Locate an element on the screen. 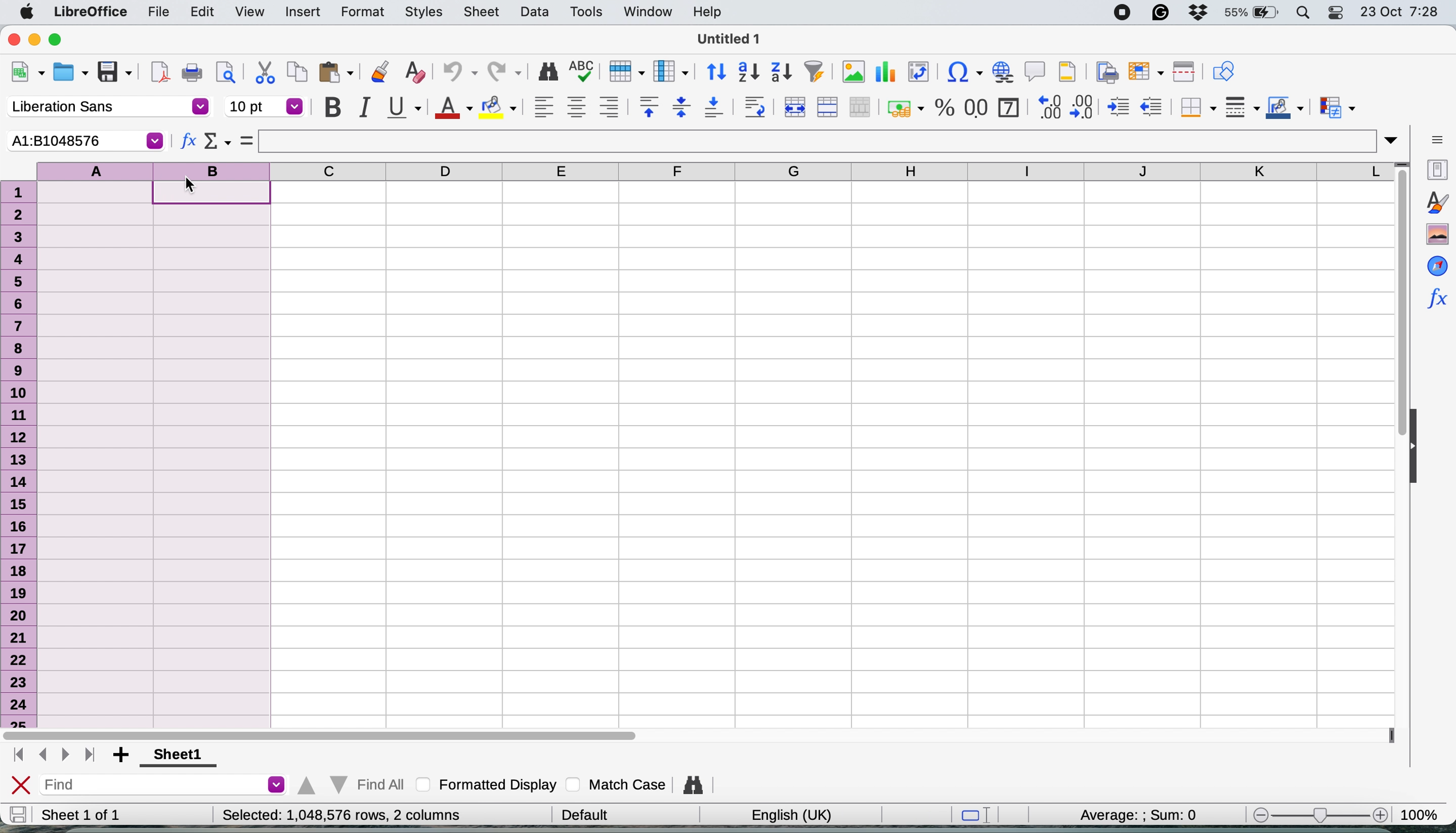 This screenshot has width=1456, height=833. dropbox is located at coordinates (1196, 14).